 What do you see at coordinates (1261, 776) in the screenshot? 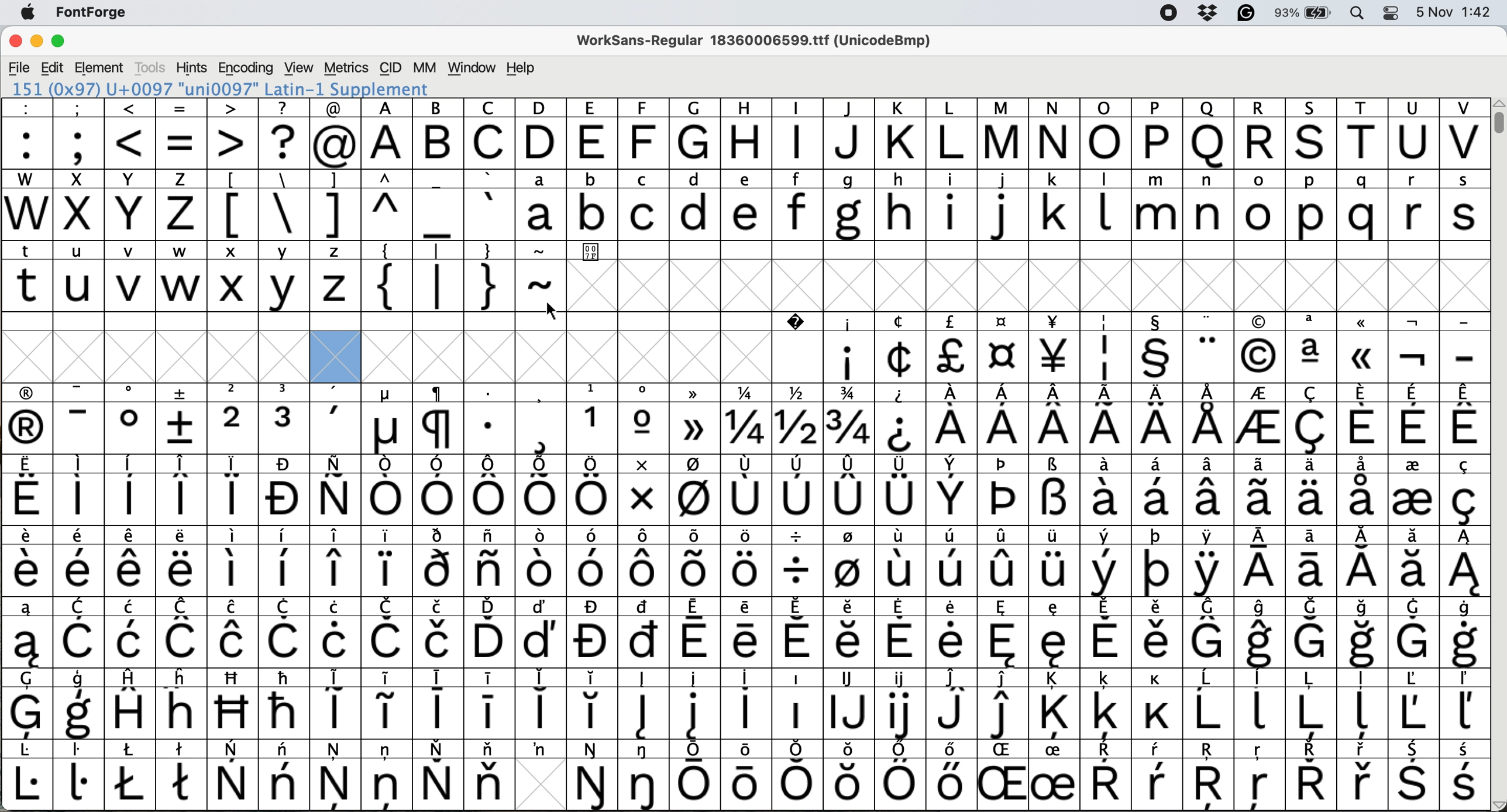
I see `` at bounding box center [1261, 776].